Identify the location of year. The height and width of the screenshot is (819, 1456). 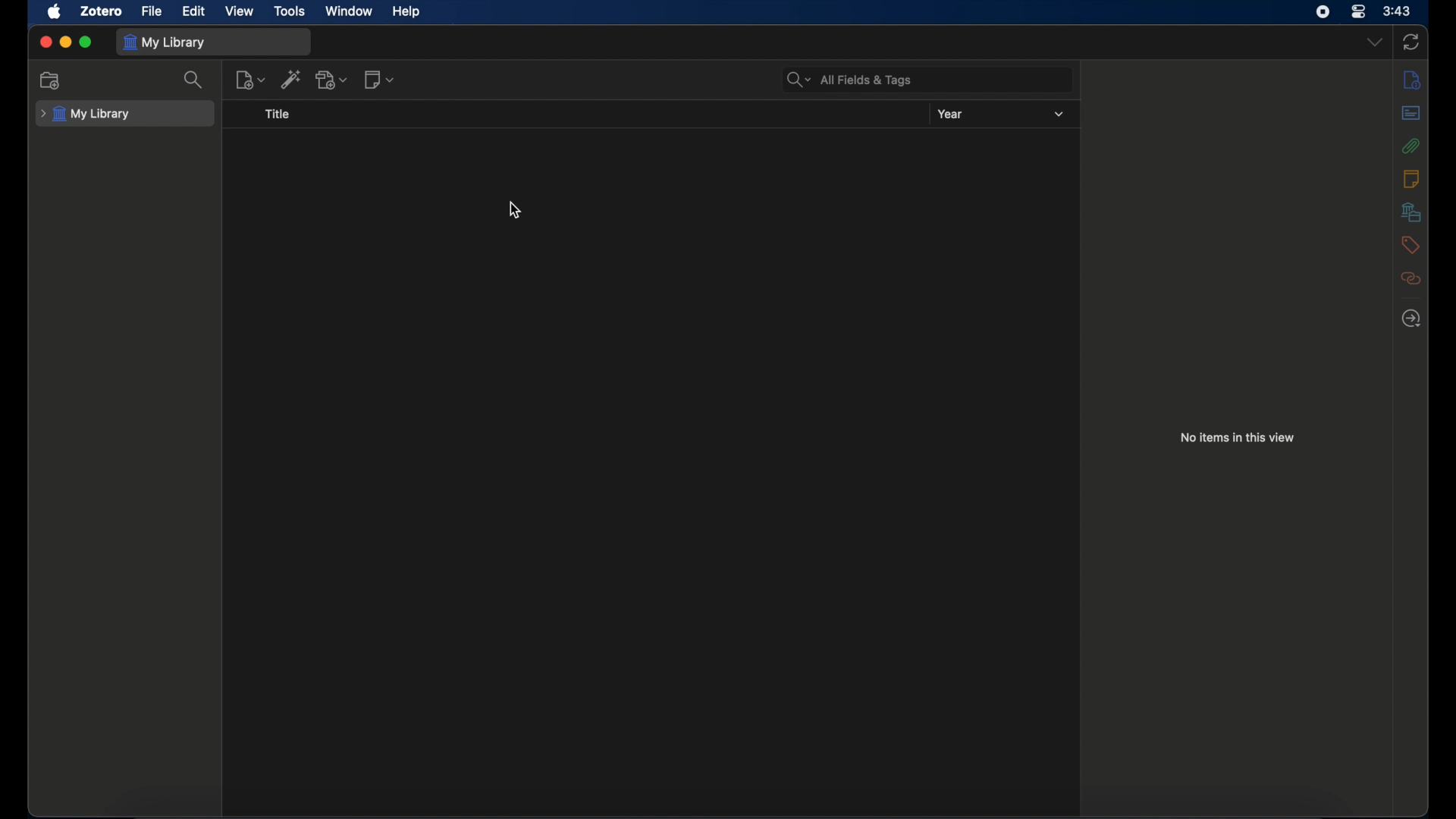
(951, 114).